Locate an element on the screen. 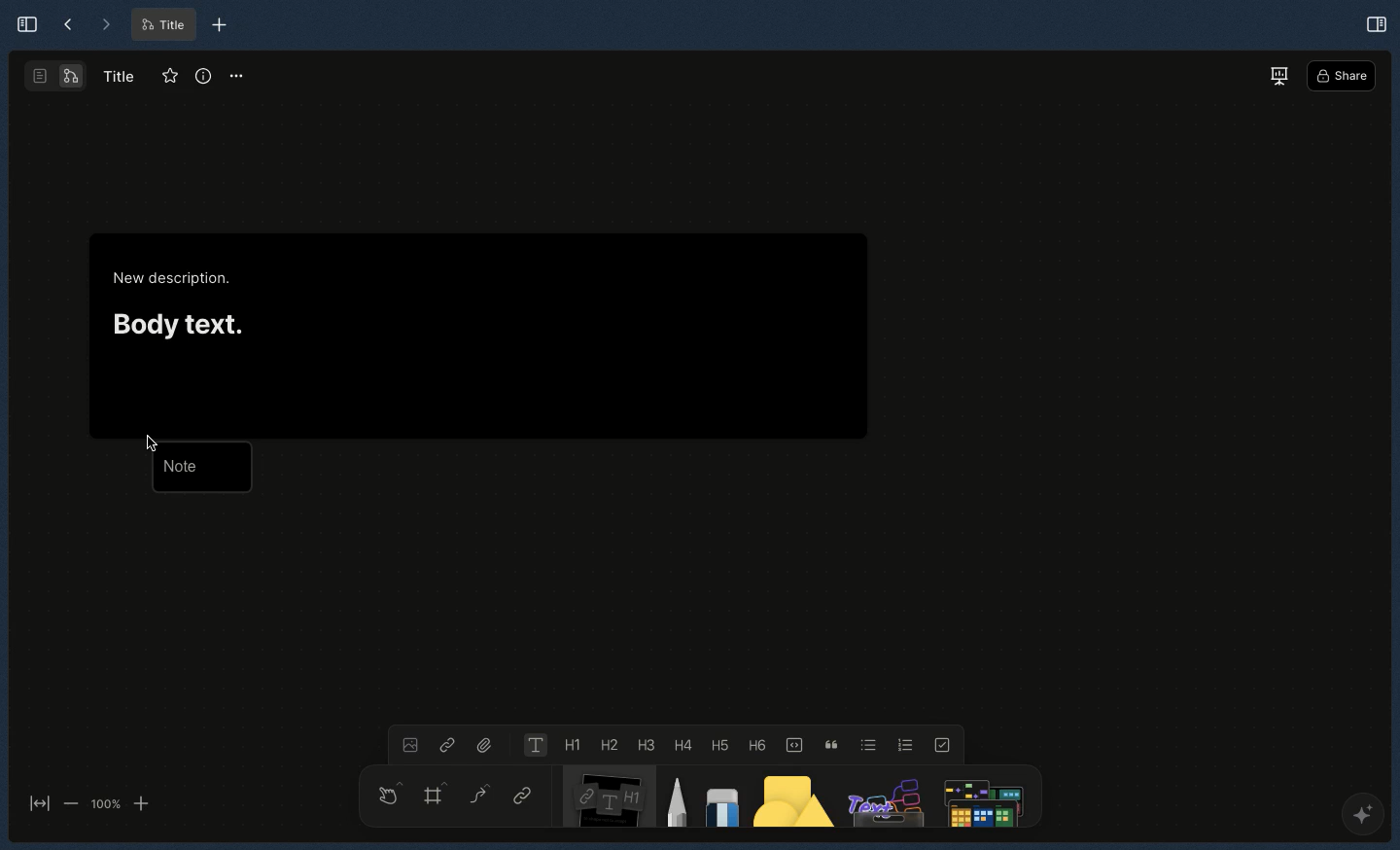 The width and height of the screenshot is (1400, 850). New description. is located at coordinates (174, 279).